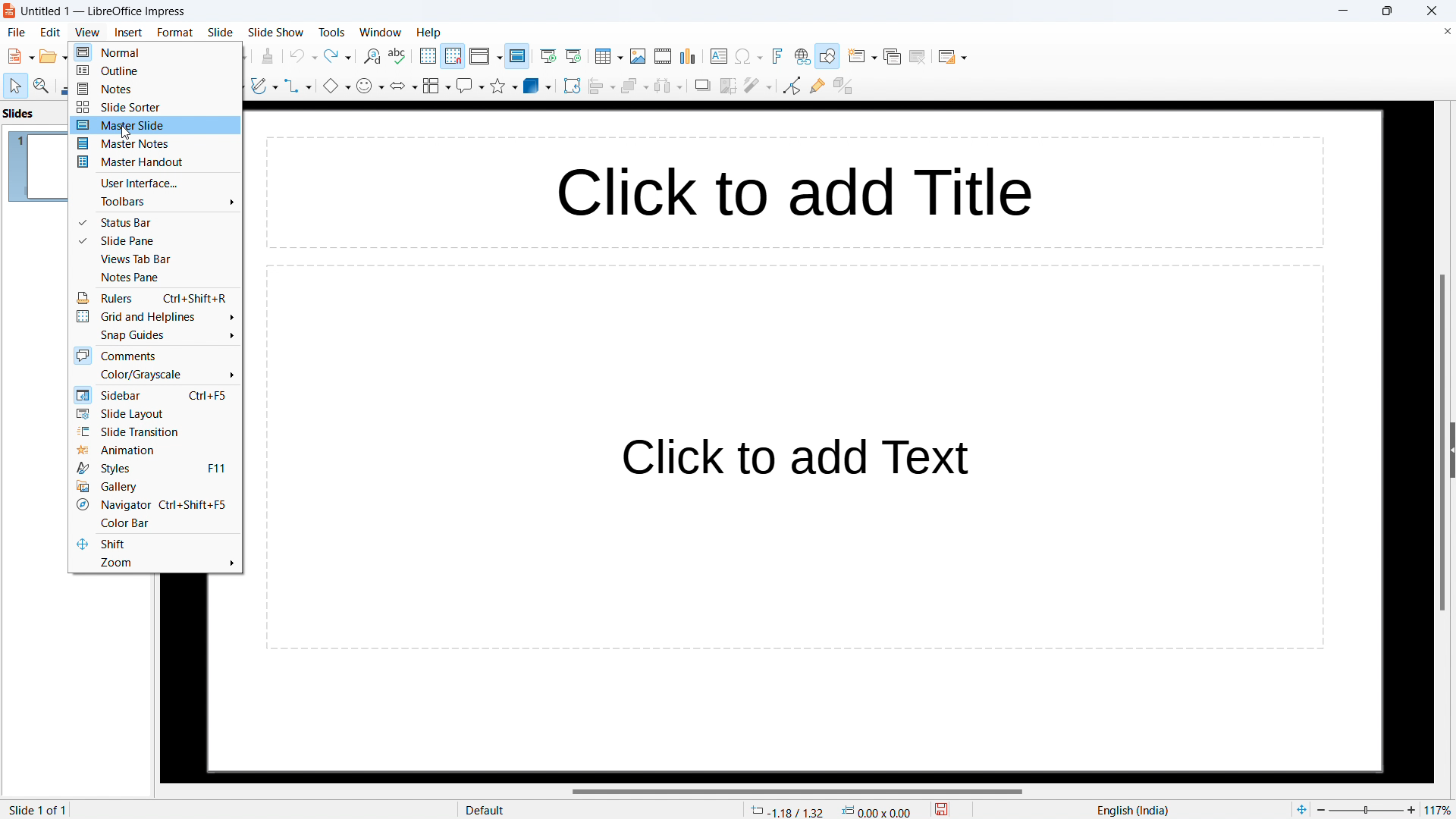 The height and width of the screenshot is (819, 1456). What do you see at coordinates (155, 431) in the screenshot?
I see `slide transition` at bounding box center [155, 431].